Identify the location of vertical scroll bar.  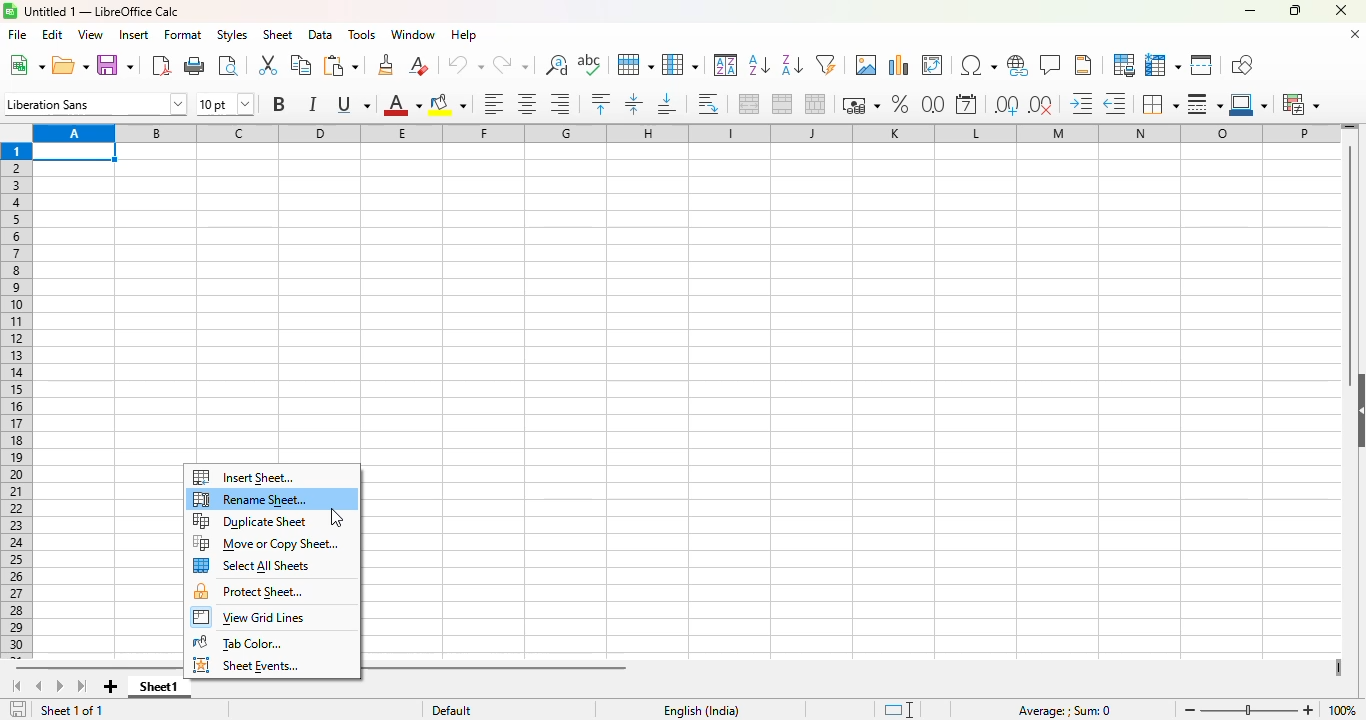
(1352, 257).